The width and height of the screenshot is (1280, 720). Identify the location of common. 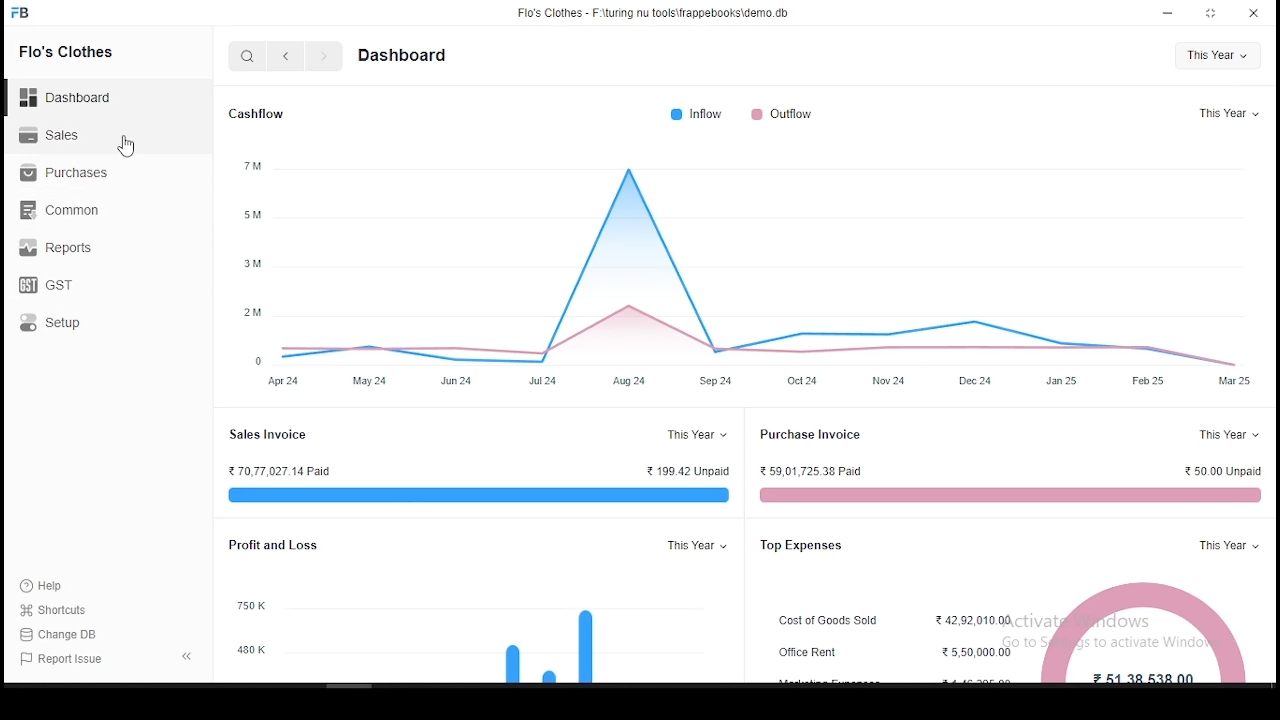
(65, 208).